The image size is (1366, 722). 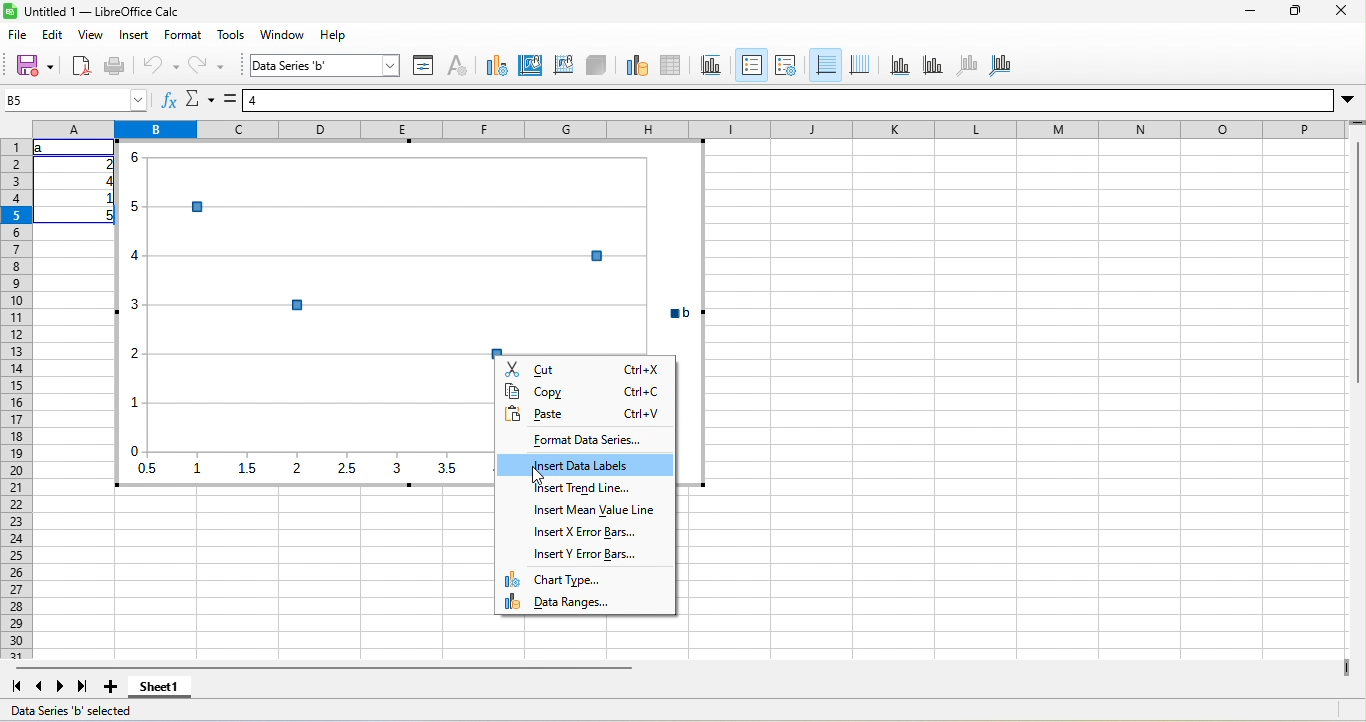 I want to click on chart wall, so click(x=564, y=67).